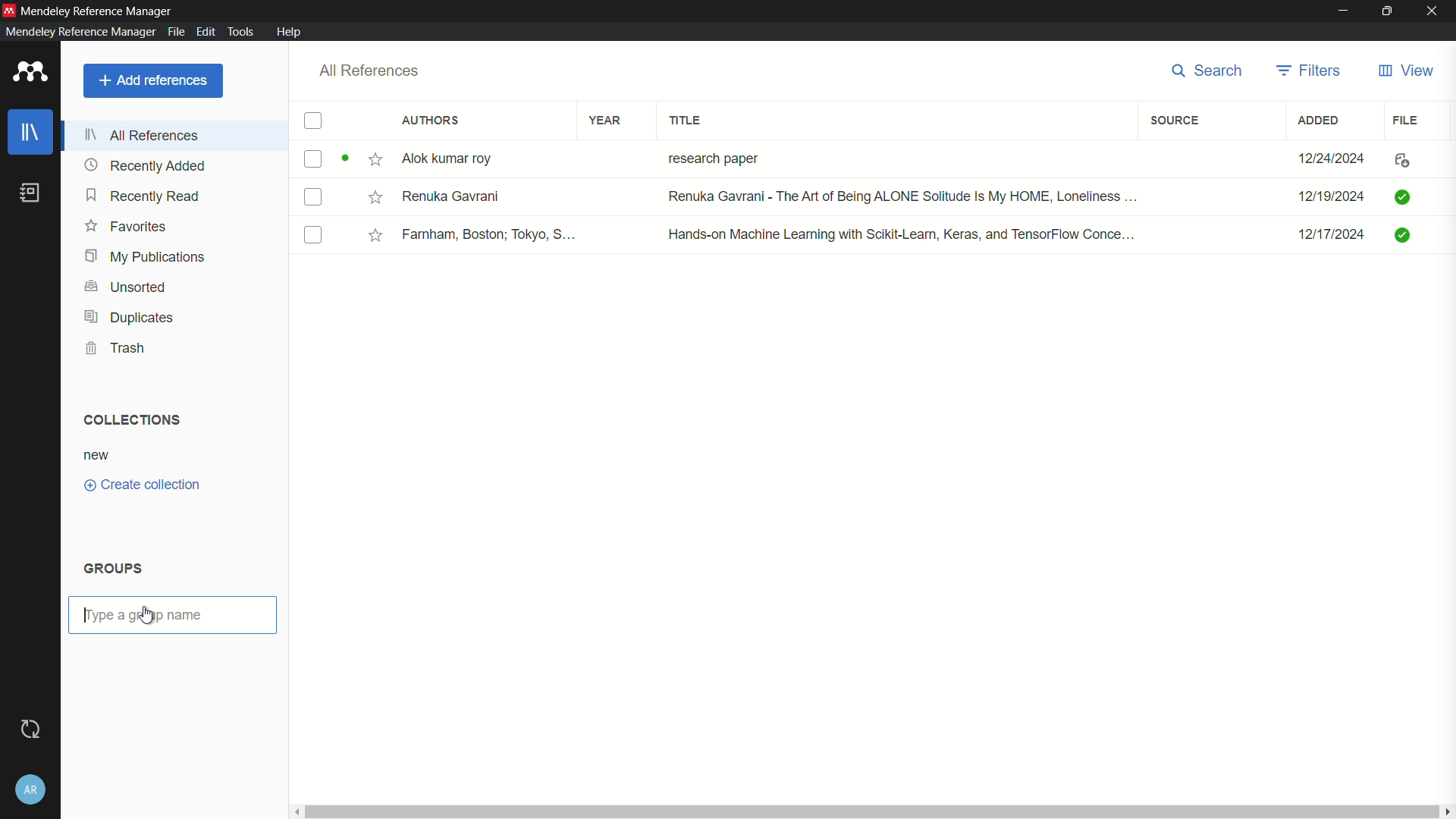  What do you see at coordinates (146, 134) in the screenshot?
I see `all references` at bounding box center [146, 134].